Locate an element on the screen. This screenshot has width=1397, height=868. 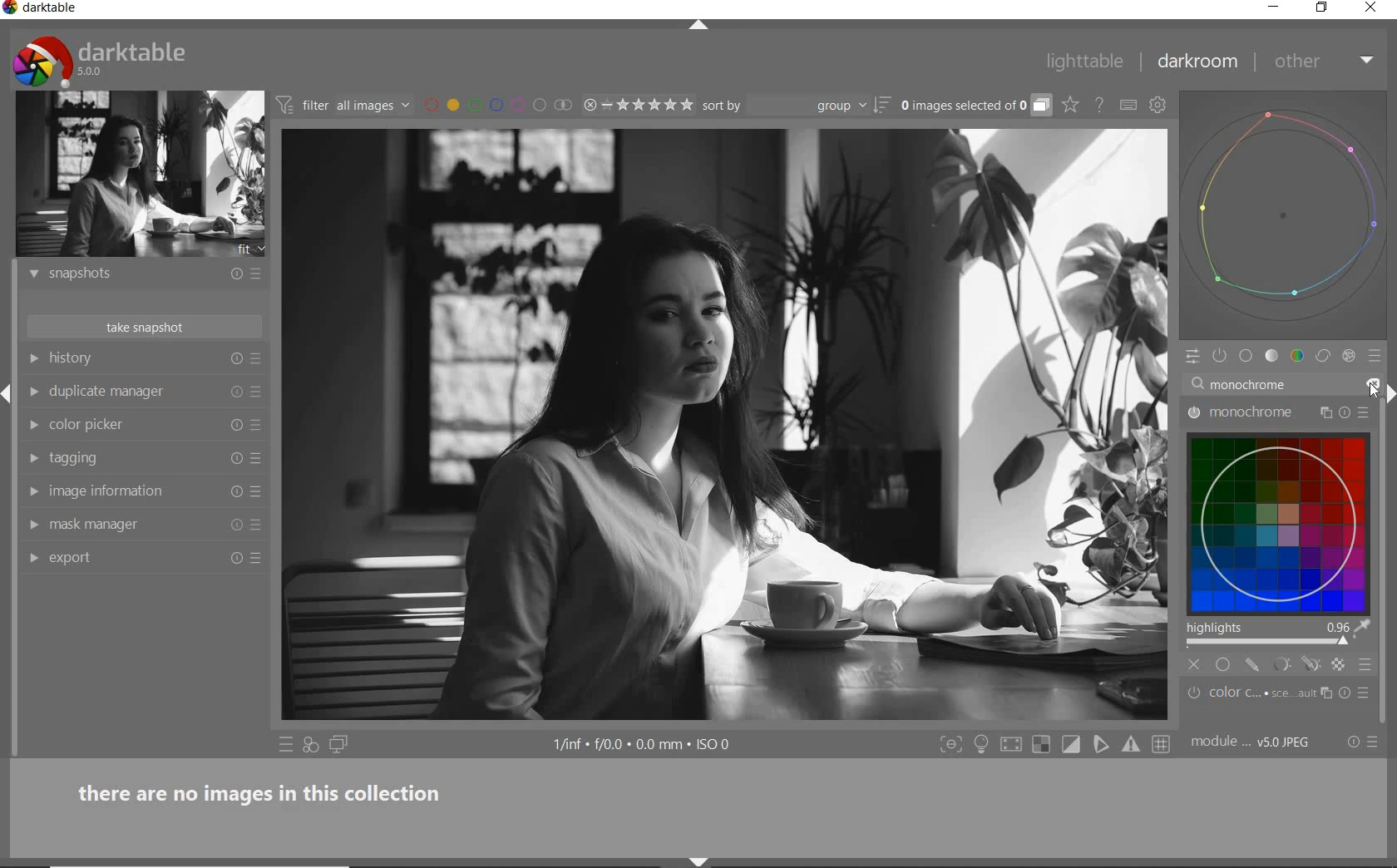
mask manager is located at coordinates (132, 524).